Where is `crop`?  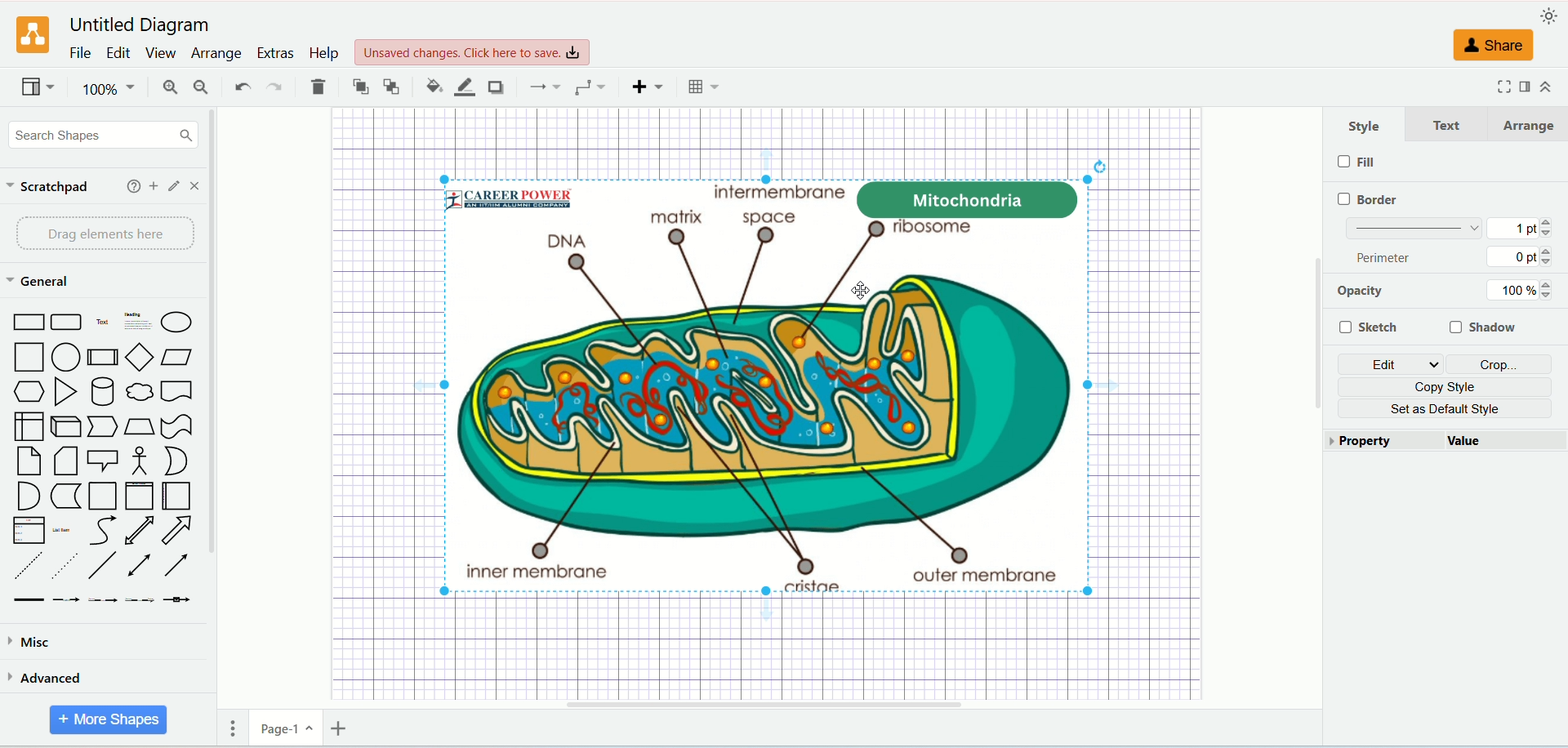
crop is located at coordinates (1498, 364).